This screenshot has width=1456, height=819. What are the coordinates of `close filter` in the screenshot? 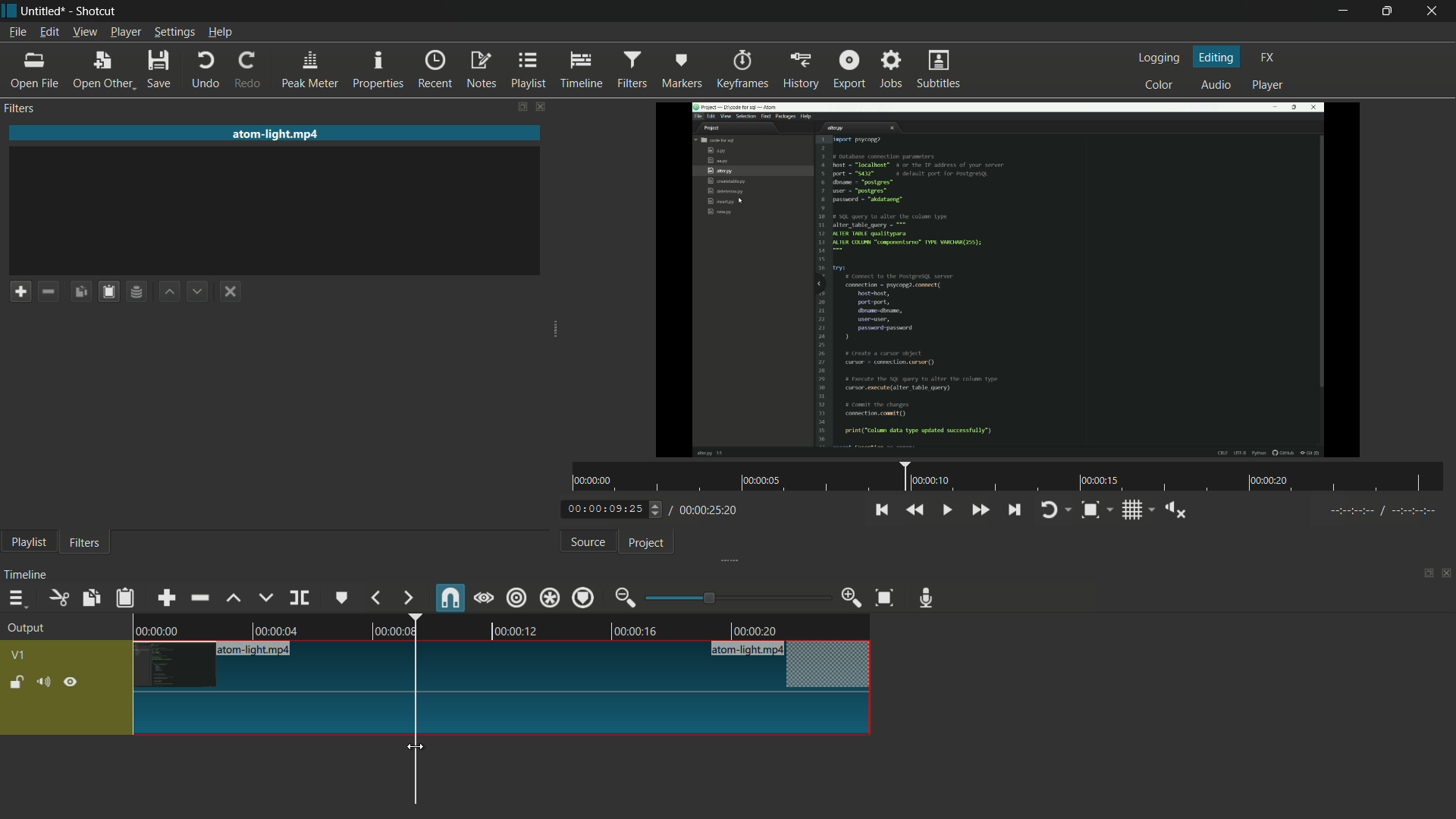 It's located at (539, 105).